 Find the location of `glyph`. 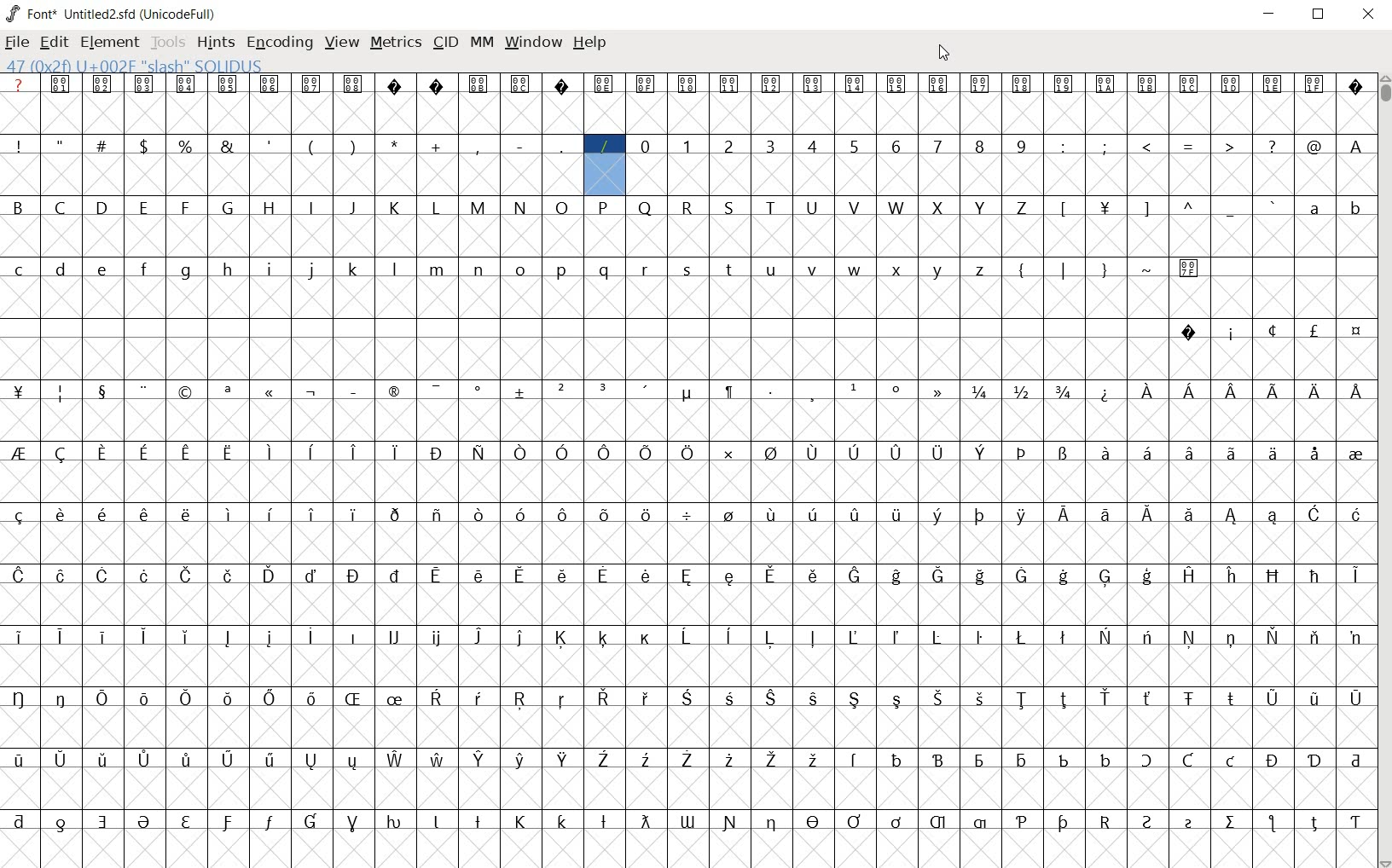

glyph is located at coordinates (18, 576).